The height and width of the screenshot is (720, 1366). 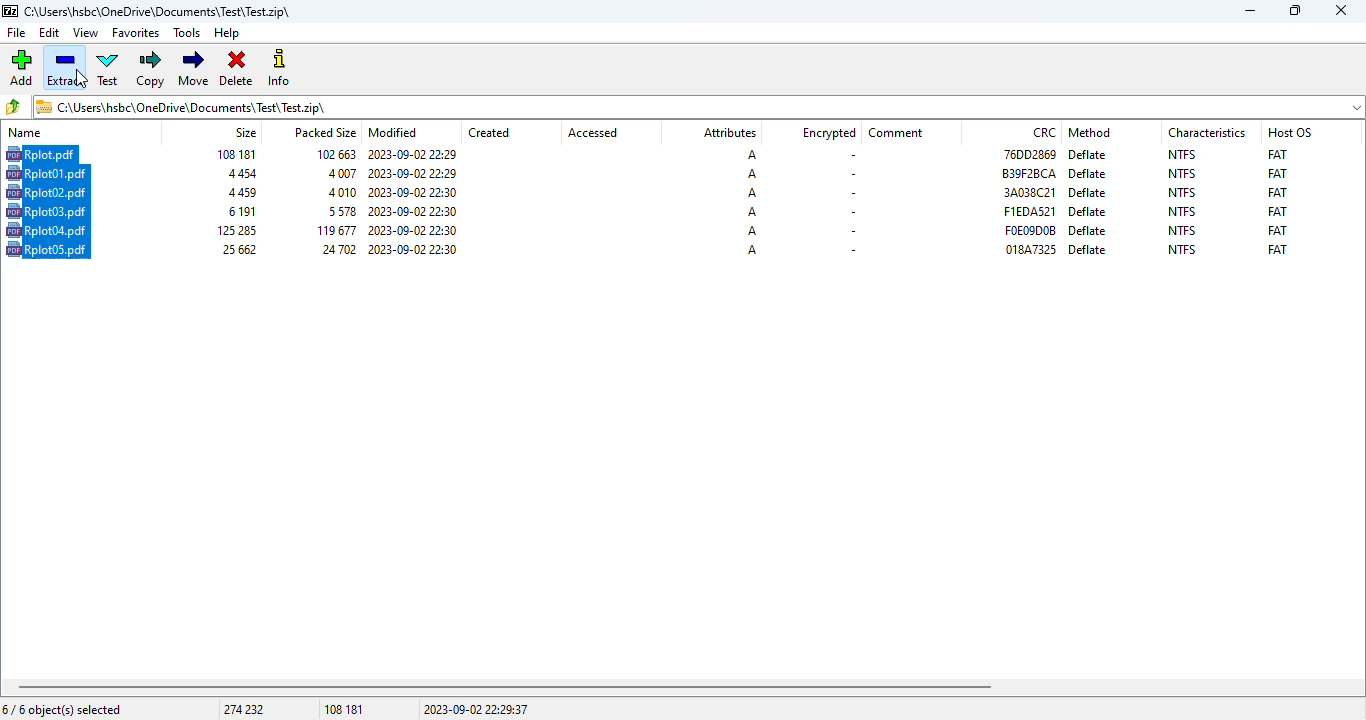 I want to click on CRC, so click(x=1030, y=230).